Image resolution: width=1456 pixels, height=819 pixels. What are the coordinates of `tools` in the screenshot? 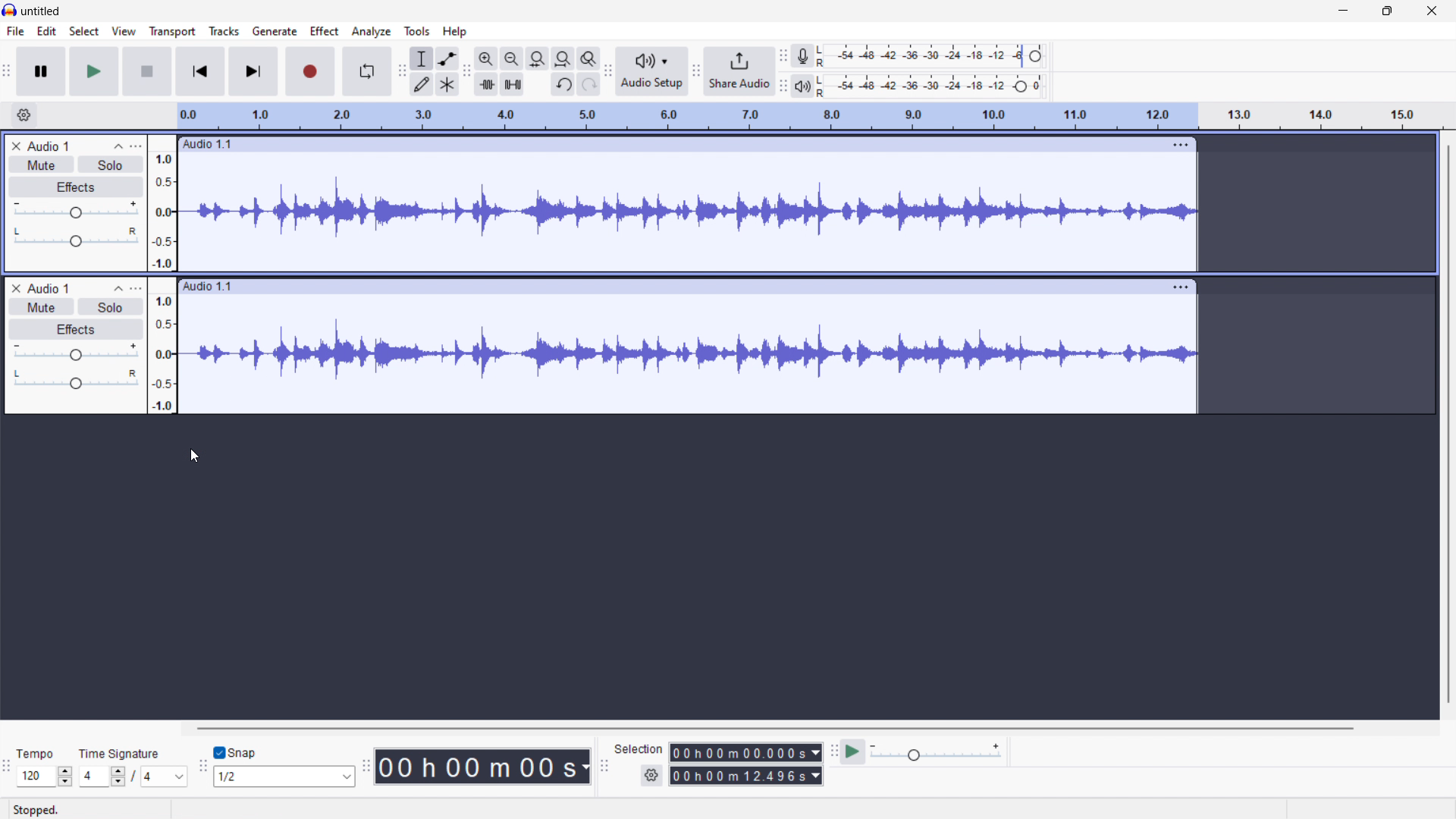 It's located at (417, 31).